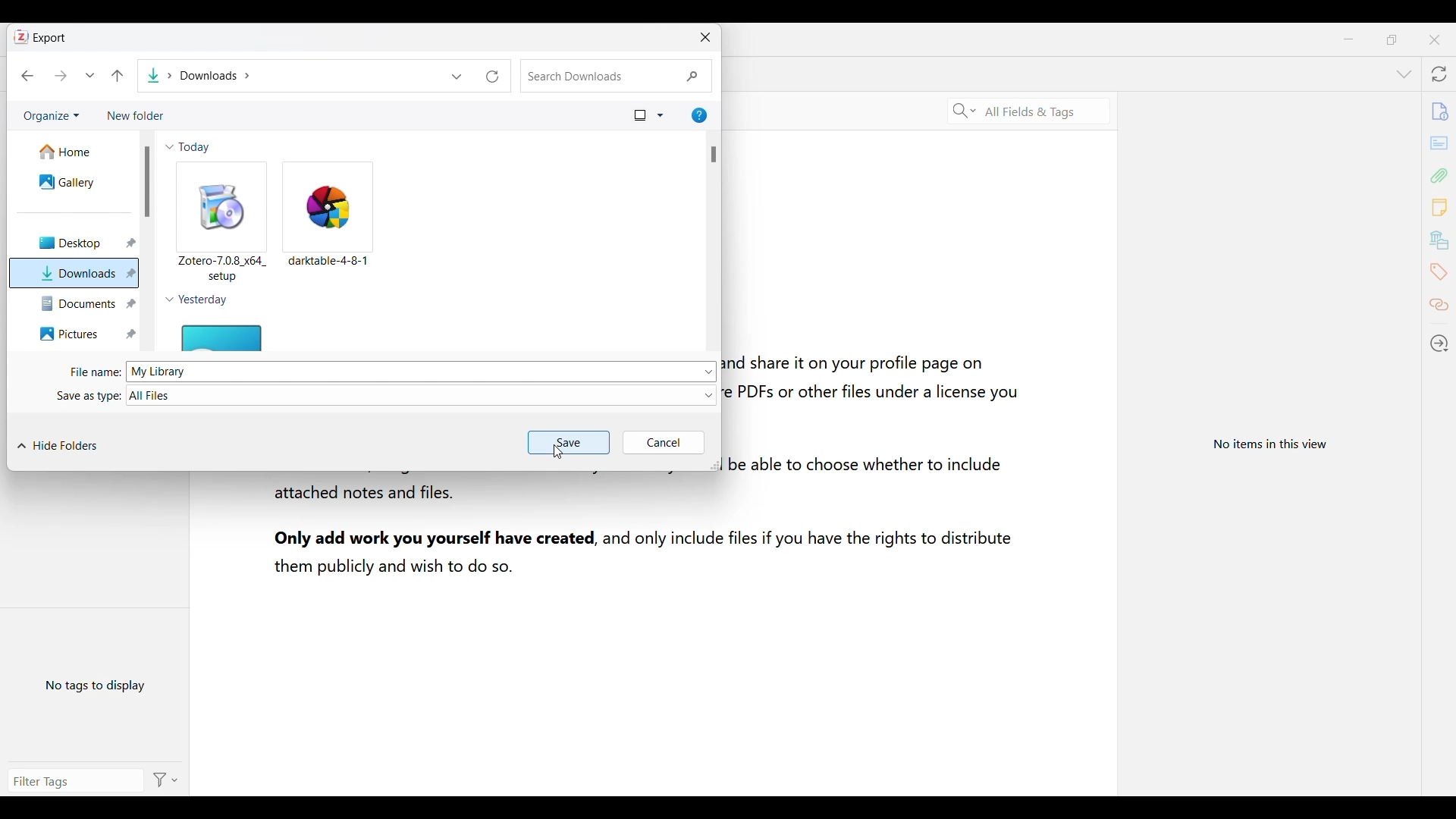 Image resolution: width=1456 pixels, height=819 pixels. I want to click on Home, so click(64, 153).